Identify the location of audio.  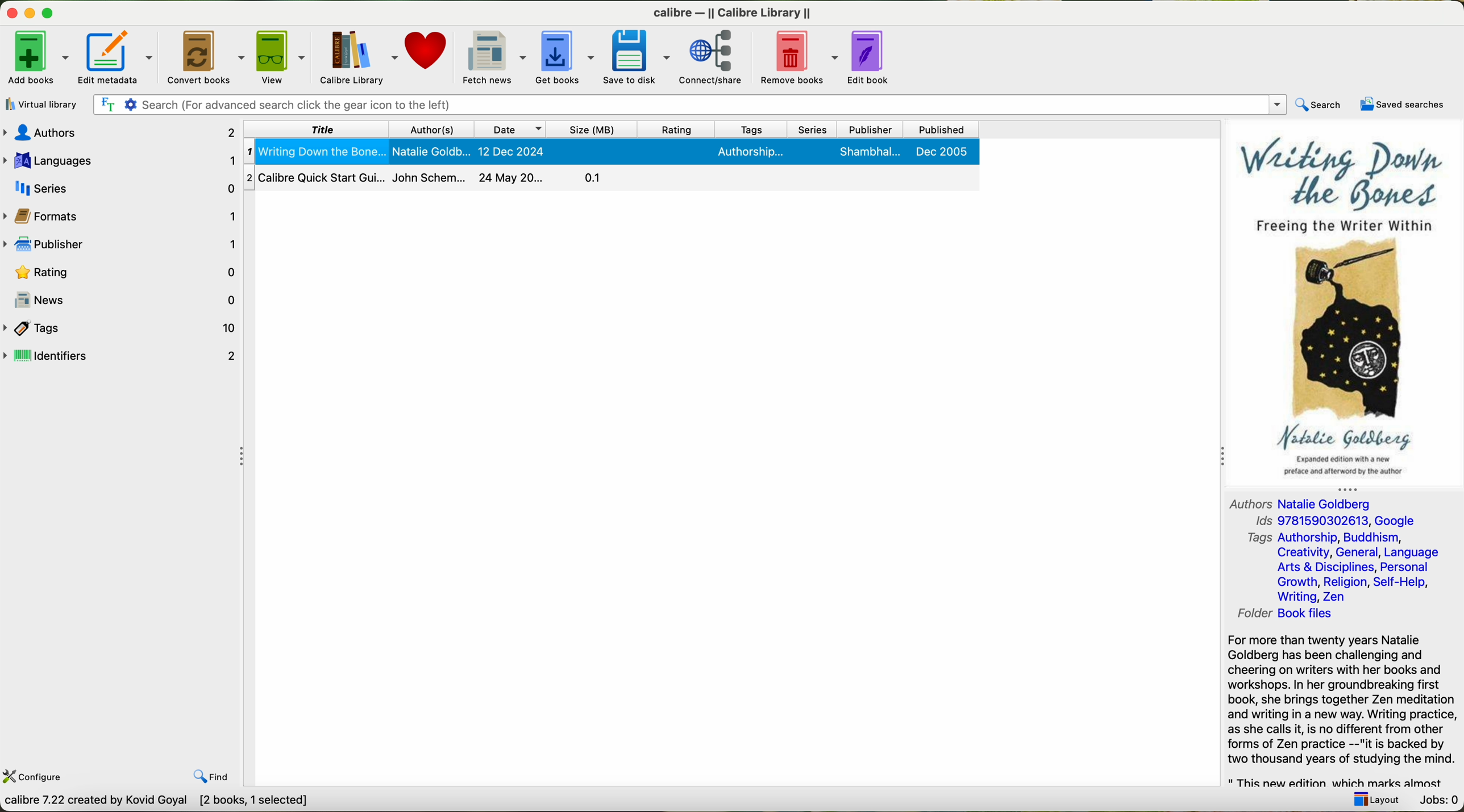
(129, 134).